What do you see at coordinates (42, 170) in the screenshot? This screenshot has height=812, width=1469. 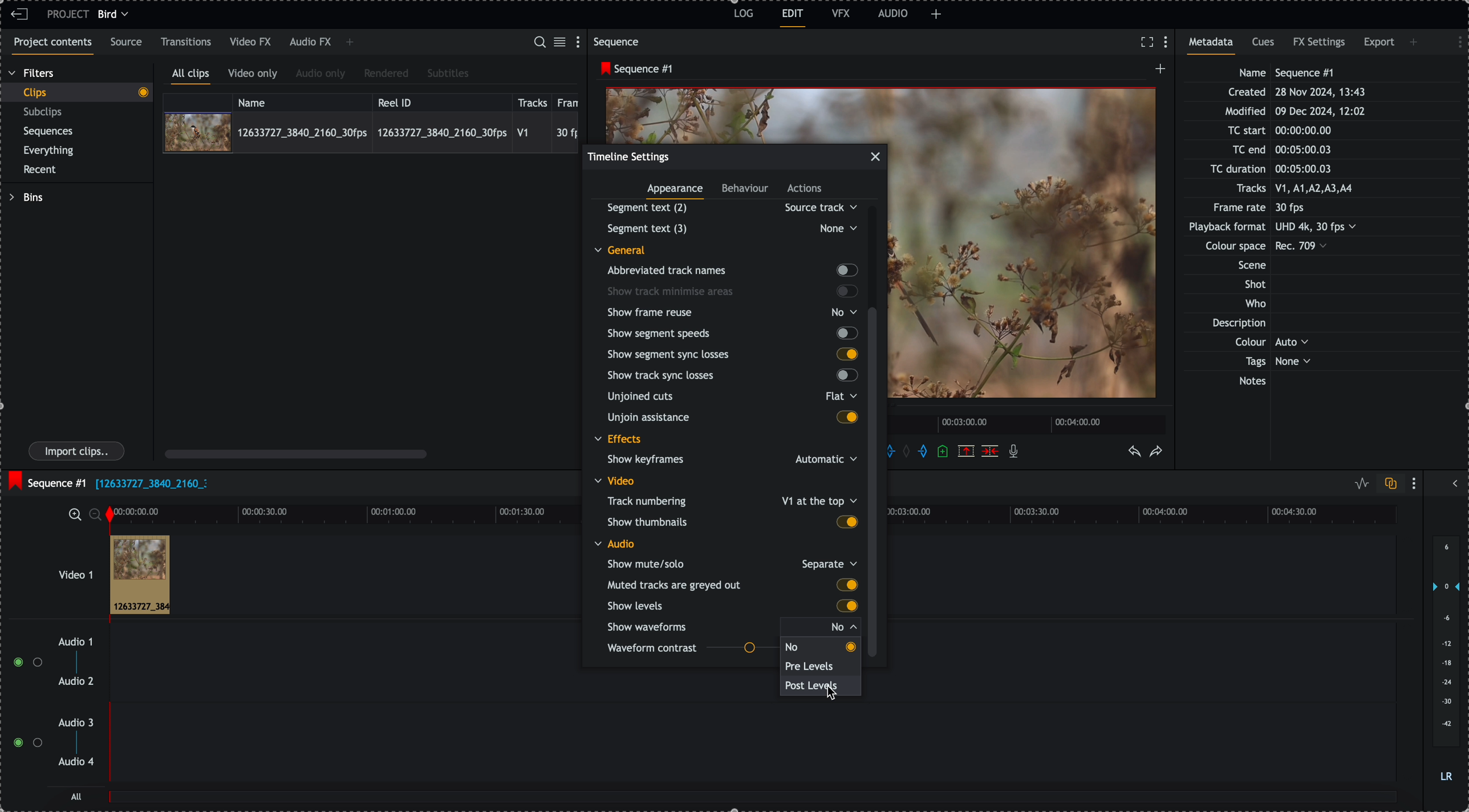 I see `recent` at bounding box center [42, 170].